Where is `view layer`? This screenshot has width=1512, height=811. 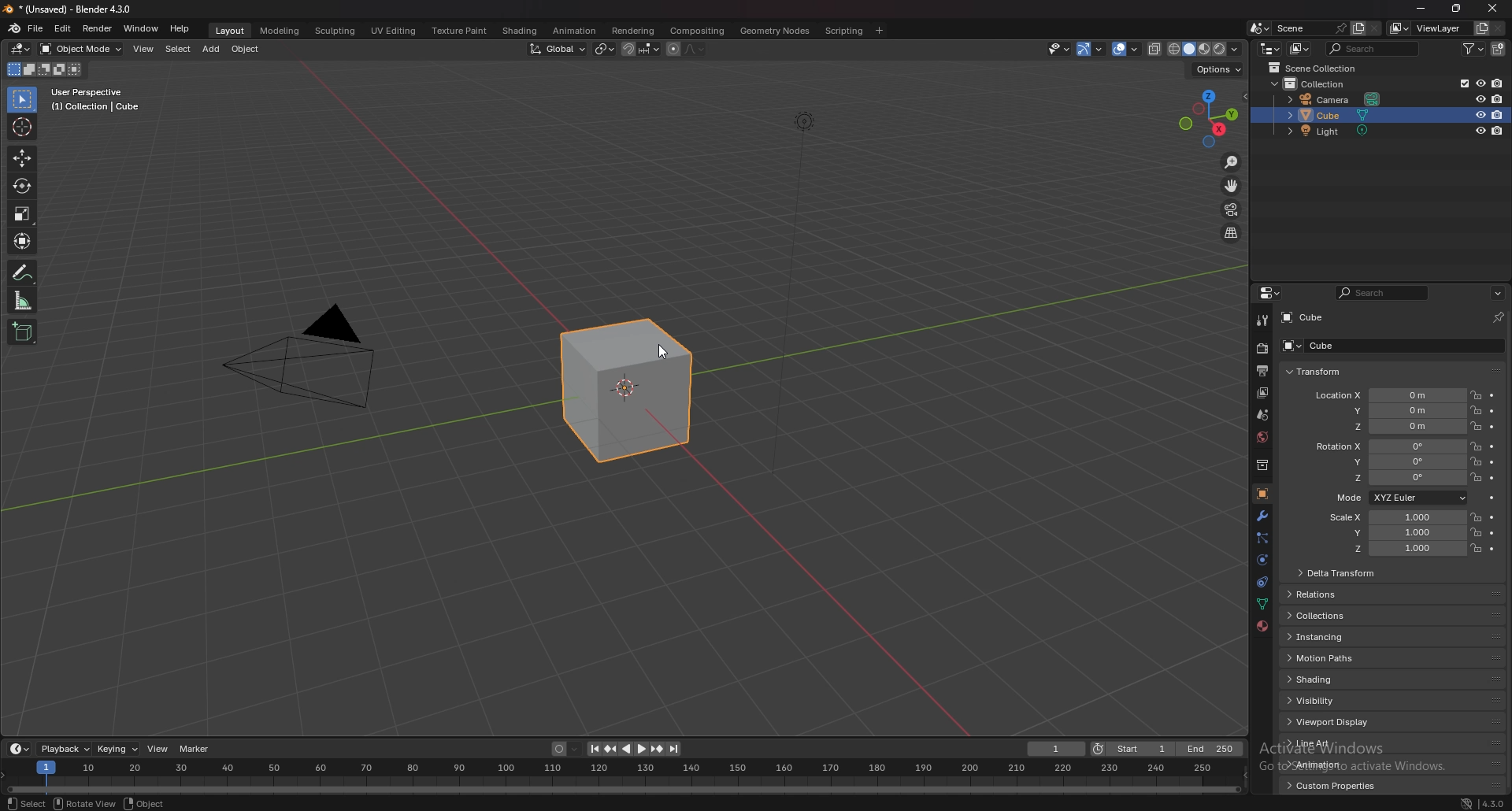 view layer is located at coordinates (1261, 393).